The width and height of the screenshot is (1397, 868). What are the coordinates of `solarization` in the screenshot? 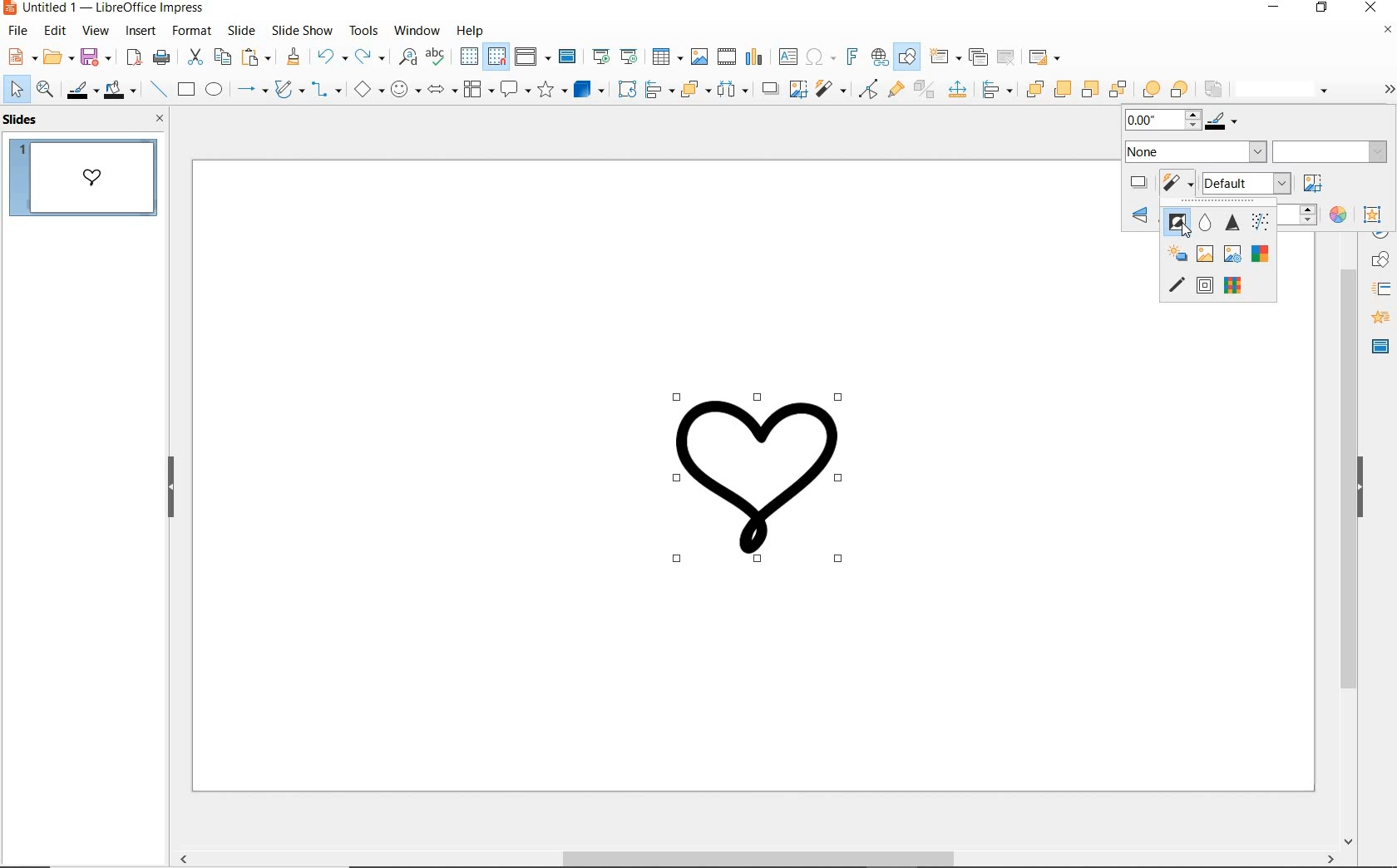 It's located at (1177, 253).